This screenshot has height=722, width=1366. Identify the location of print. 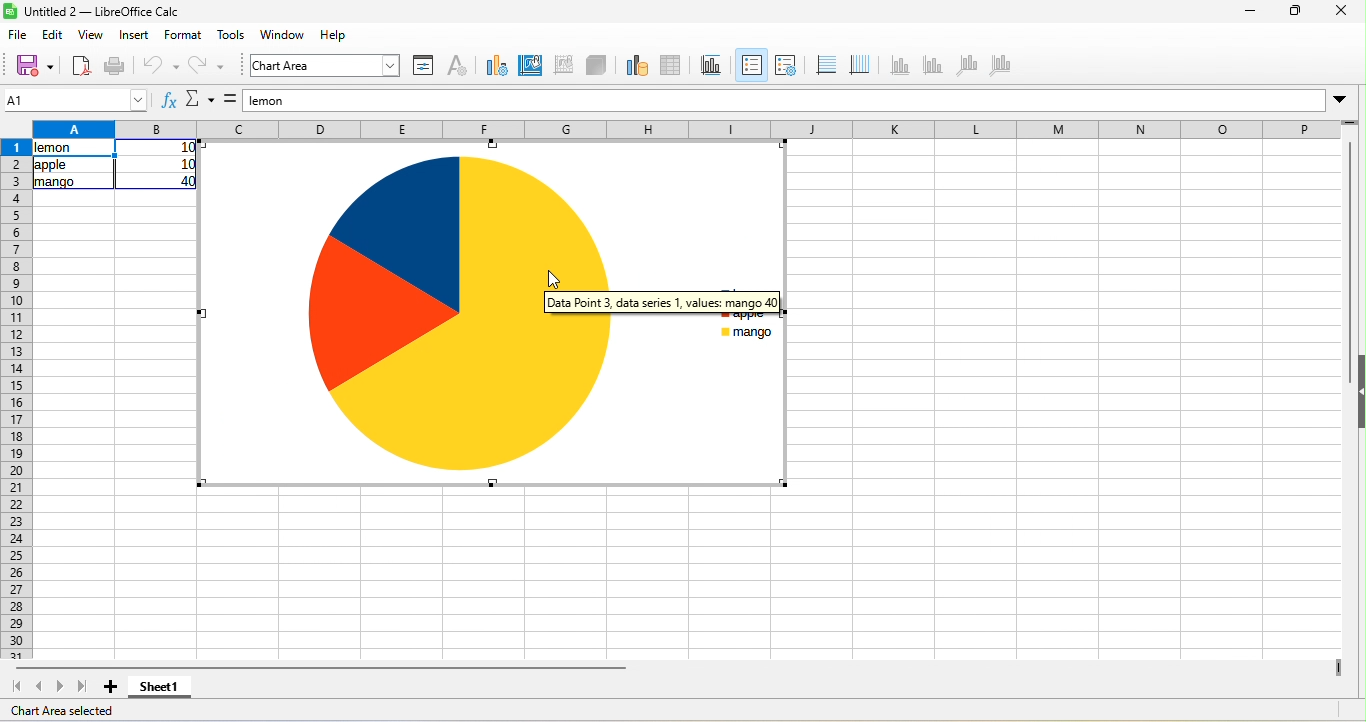
(117, 65).